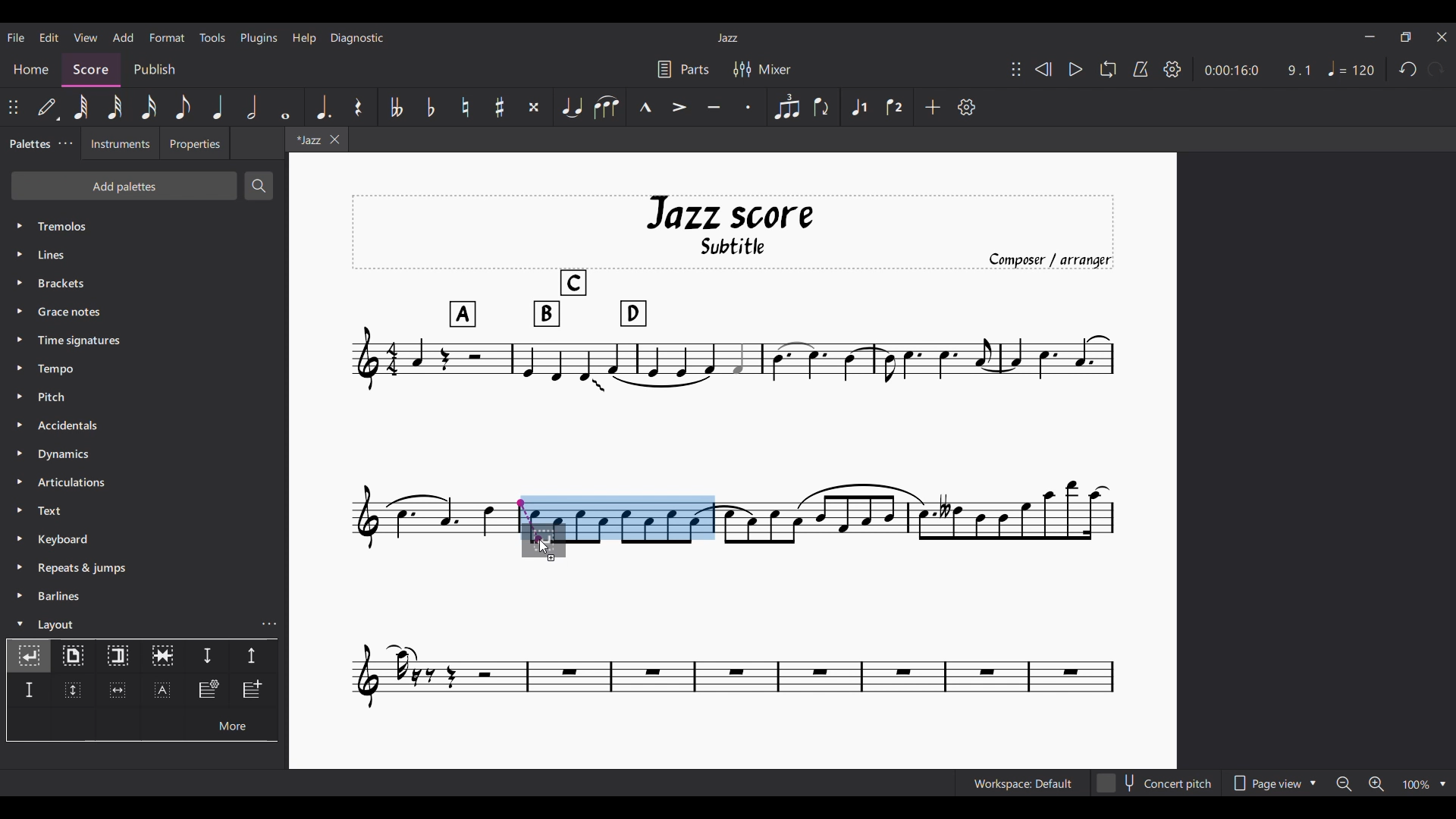  What do you see at coordinates (1172, 70) in the screenshot?
I see `Settings` at bounding box center [1172, 70].